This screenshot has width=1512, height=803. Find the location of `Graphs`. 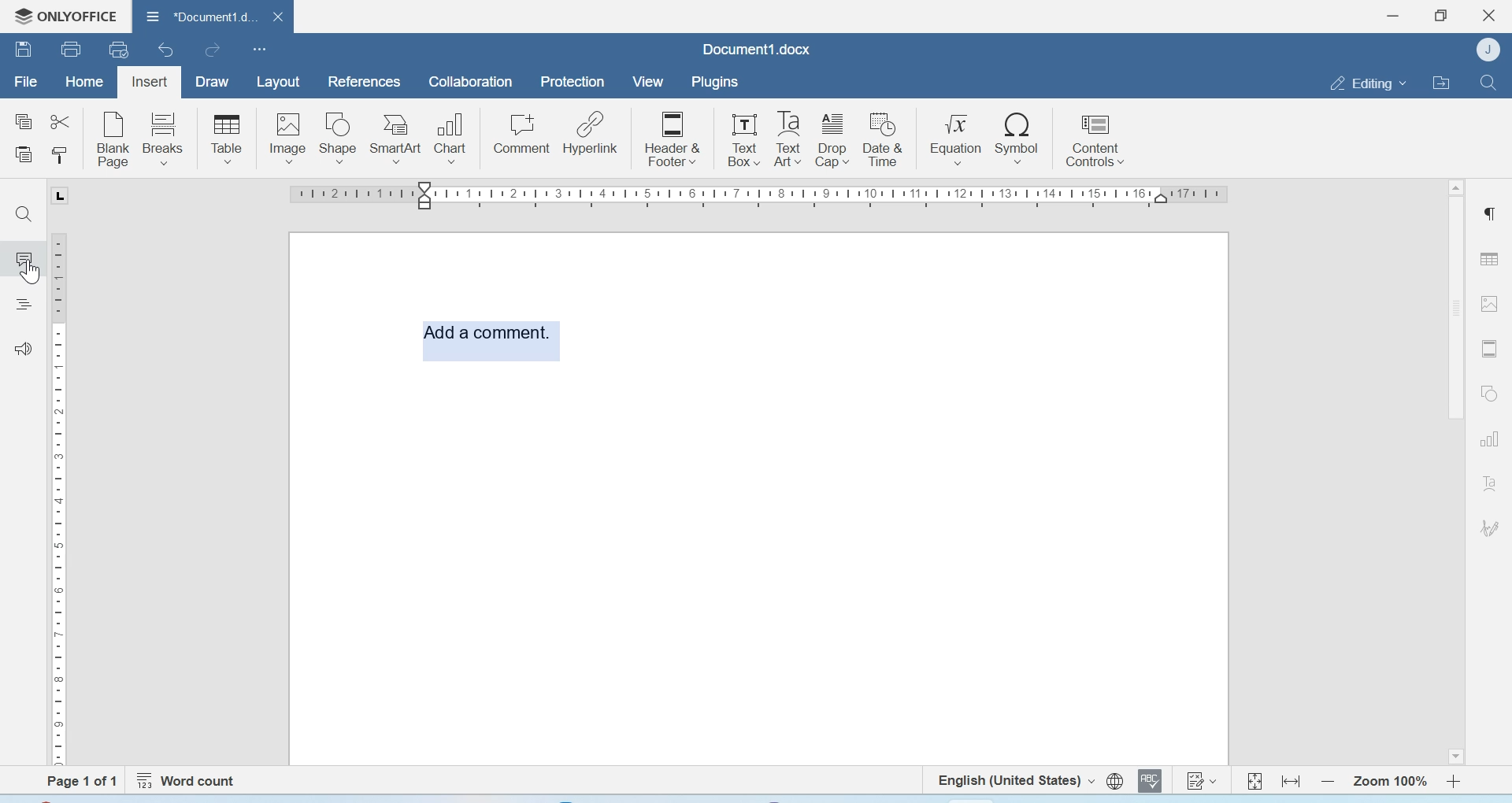

Graphs is located at coordinates (1489, 439).